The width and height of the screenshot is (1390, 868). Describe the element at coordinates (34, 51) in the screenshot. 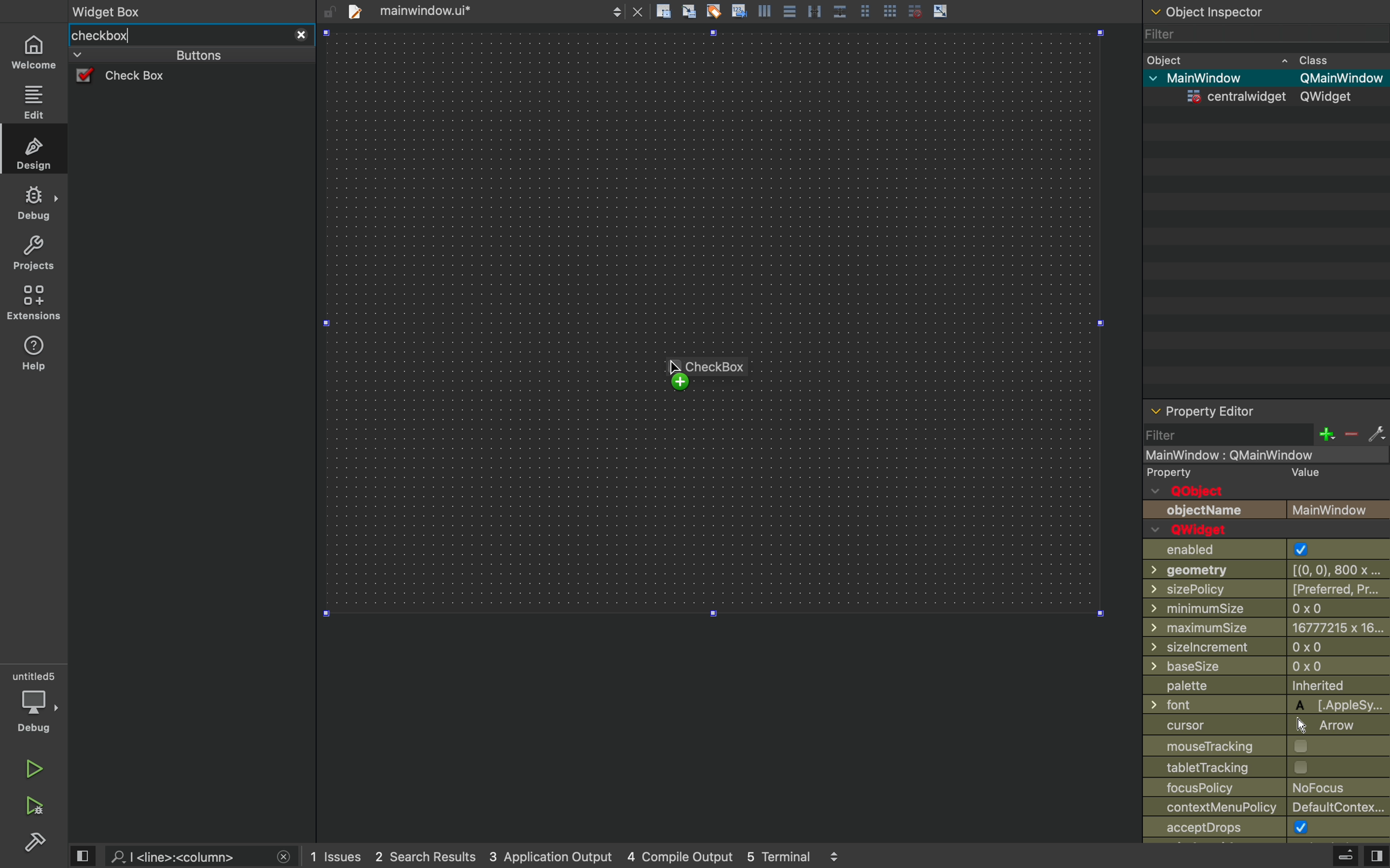

I see `home` at that location.